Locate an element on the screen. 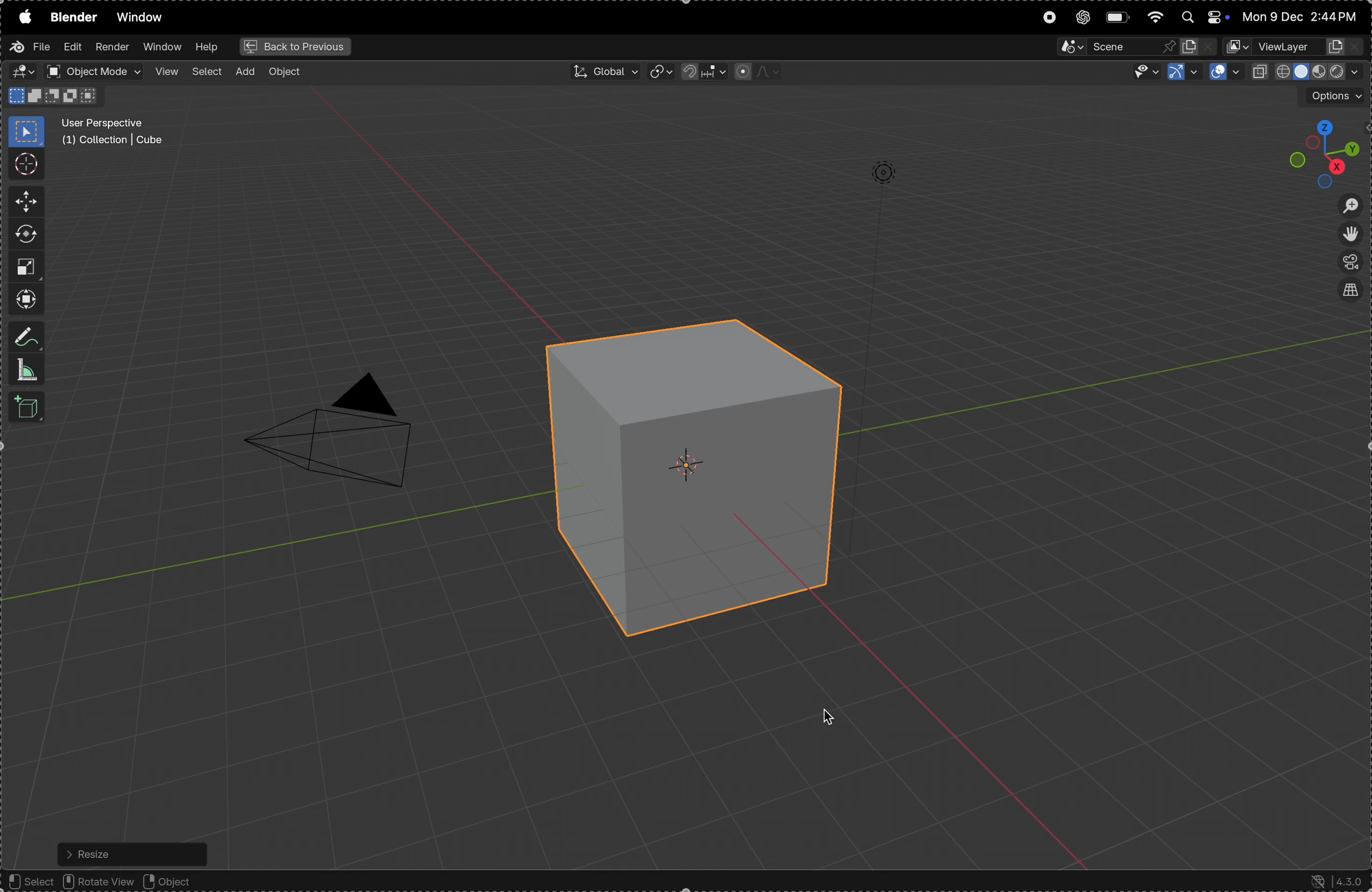  help is located at coordinates (208, 47).